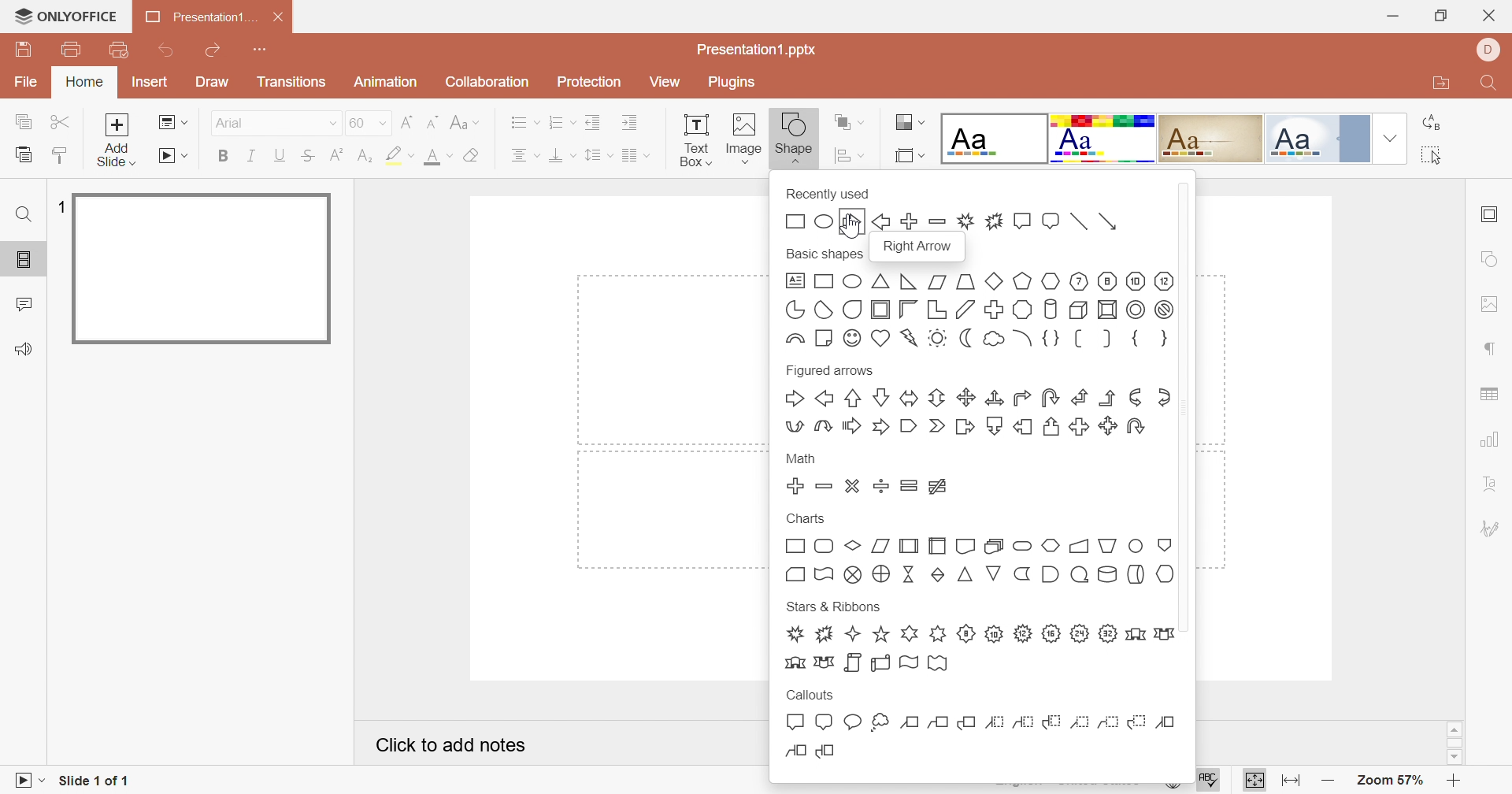 This screenshot has height=794, width=1512. I want to click on Slider, so click(1190, 406).